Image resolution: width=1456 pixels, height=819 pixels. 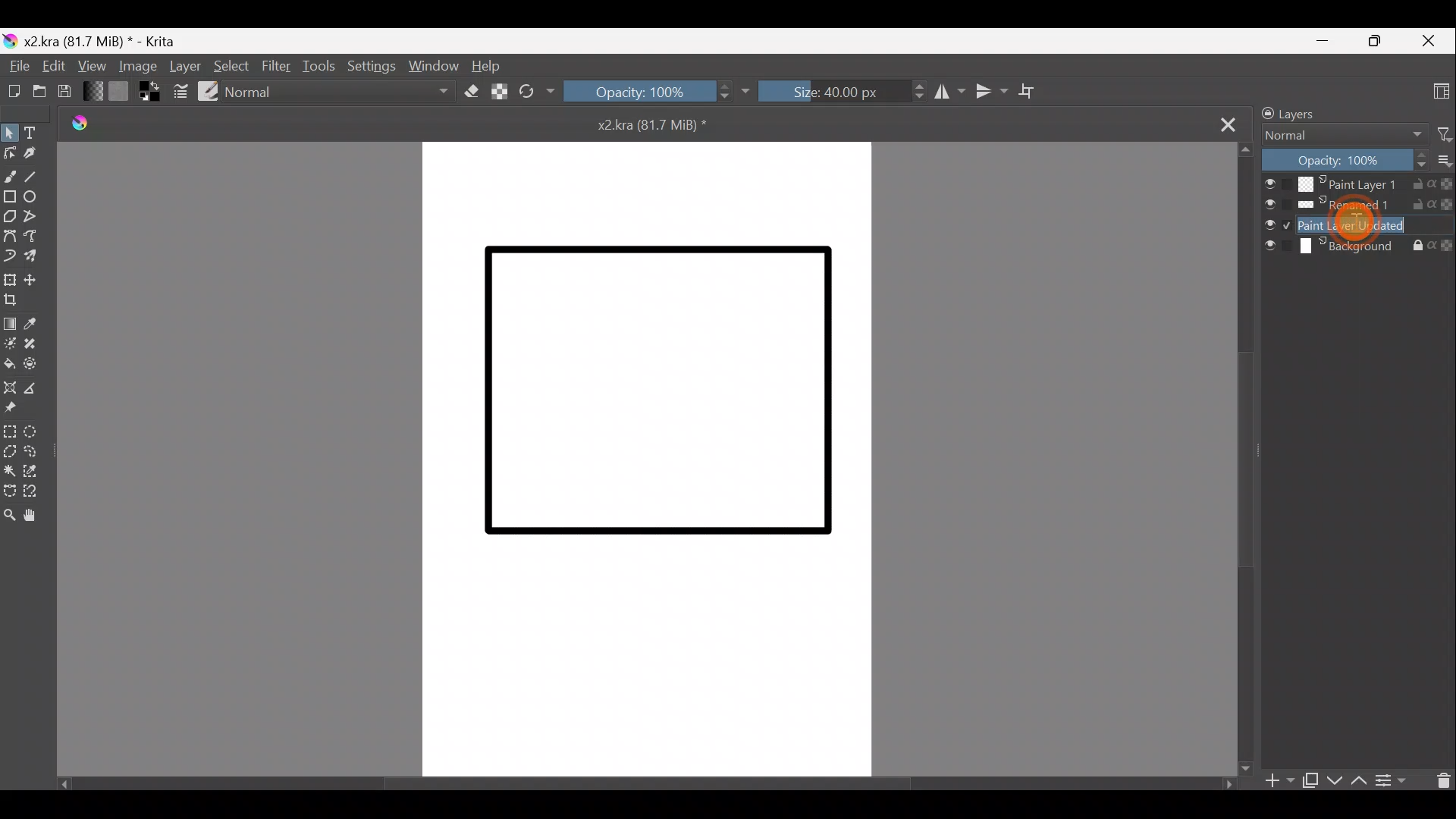 What do you see at coordinates (497, 90) in the screenshot?
I see `Preserve Alpha` at bounding box center [497, 90].